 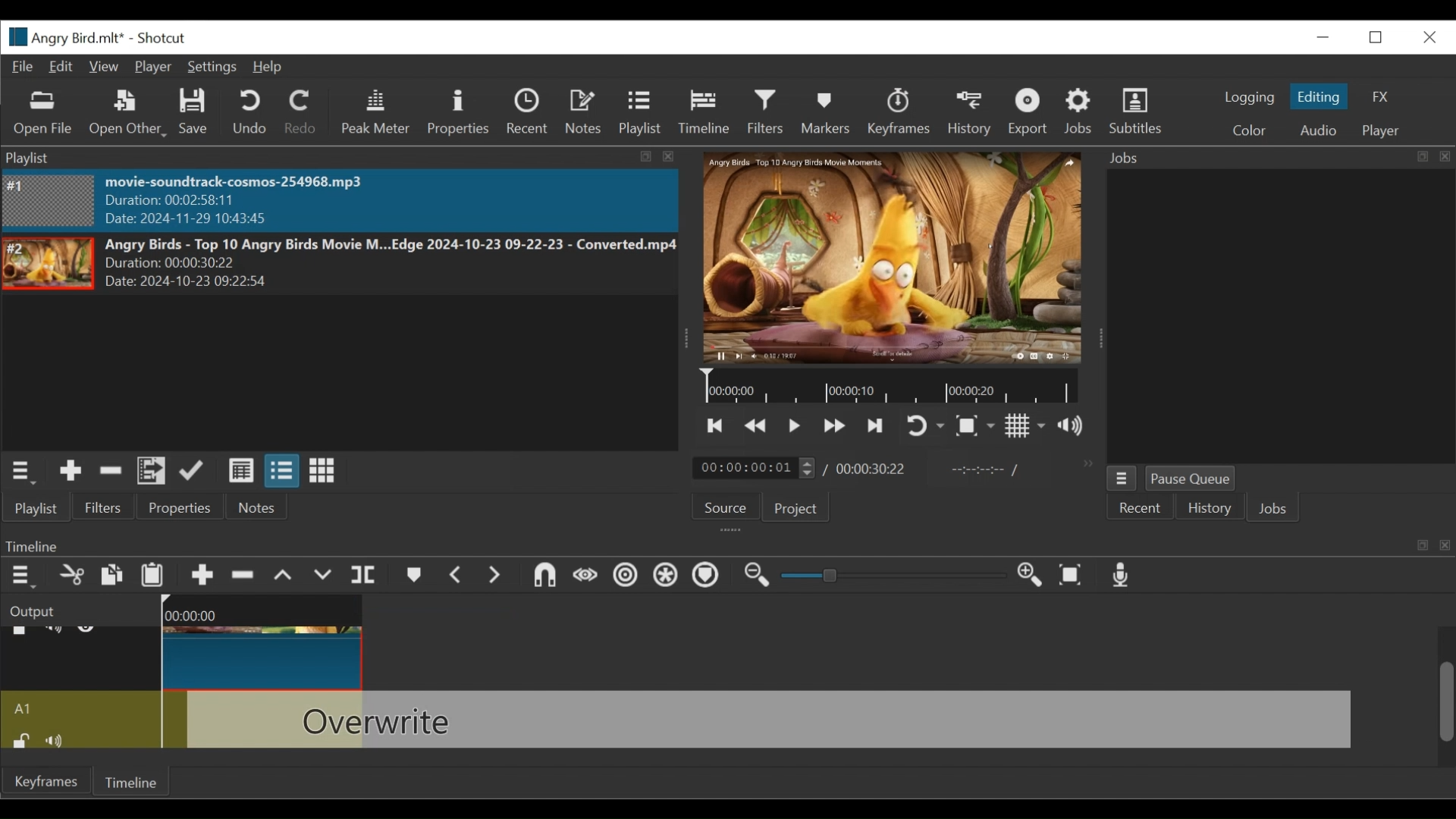 I want to click on Previous marker, so click(x=456, y=574).